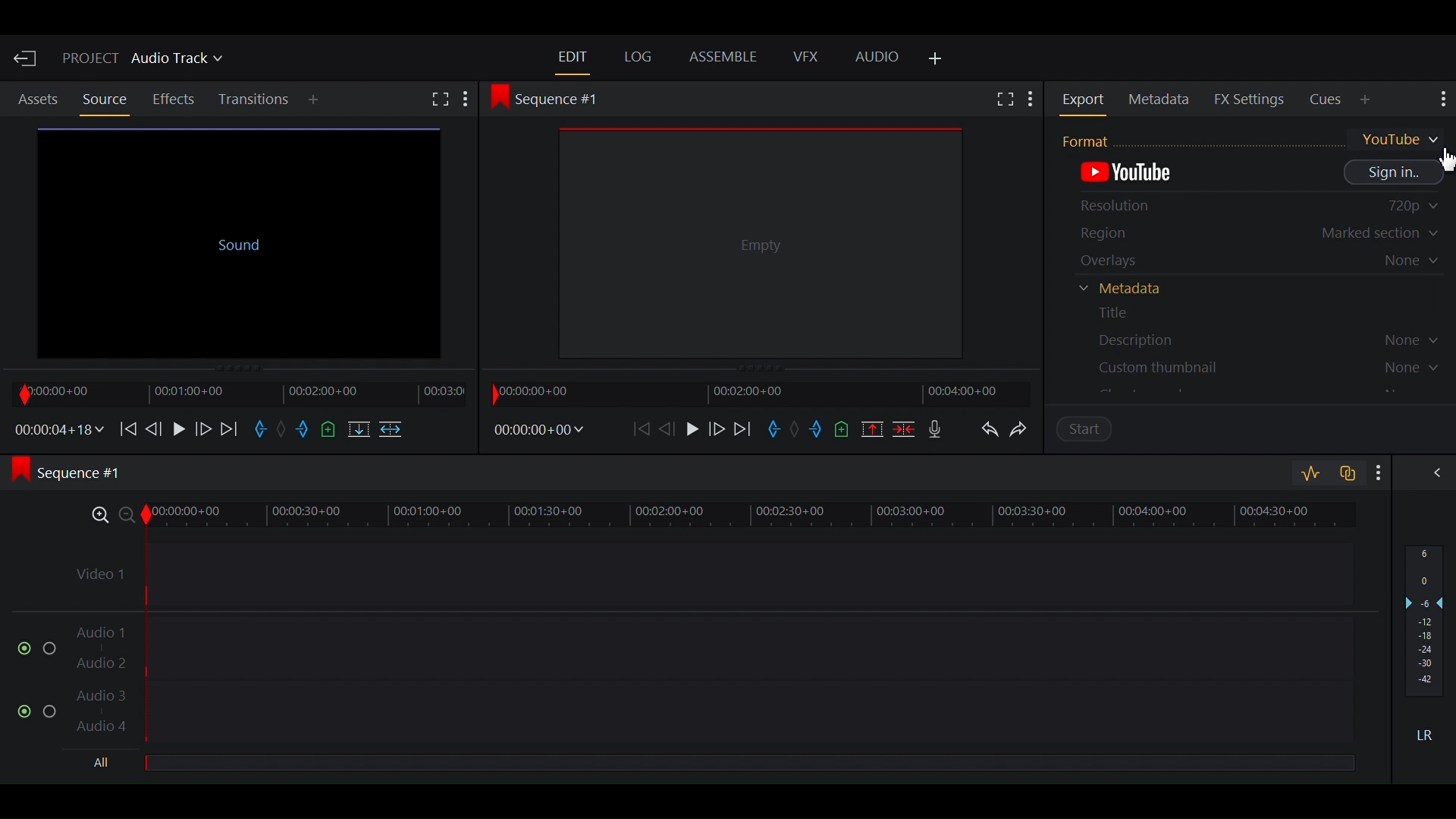 The height and width of the screenshot is (819, 1456). What do you see at coordinates (717, 429) in the screenshot?
I see `Nudge one frame forward` at bounding box center [717, 429].